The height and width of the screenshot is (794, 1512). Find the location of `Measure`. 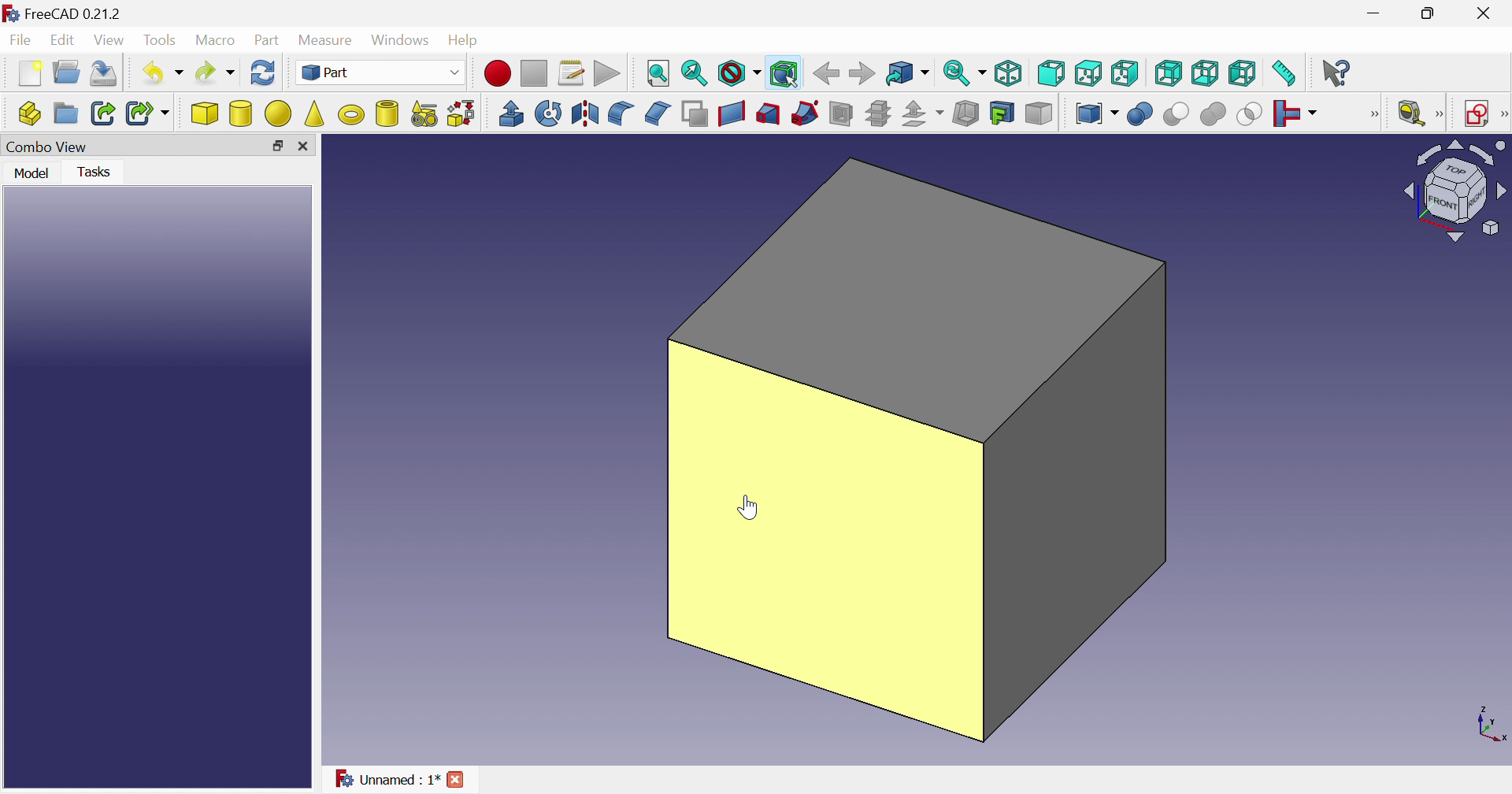

Measure is located at coordinates (1440, 114).